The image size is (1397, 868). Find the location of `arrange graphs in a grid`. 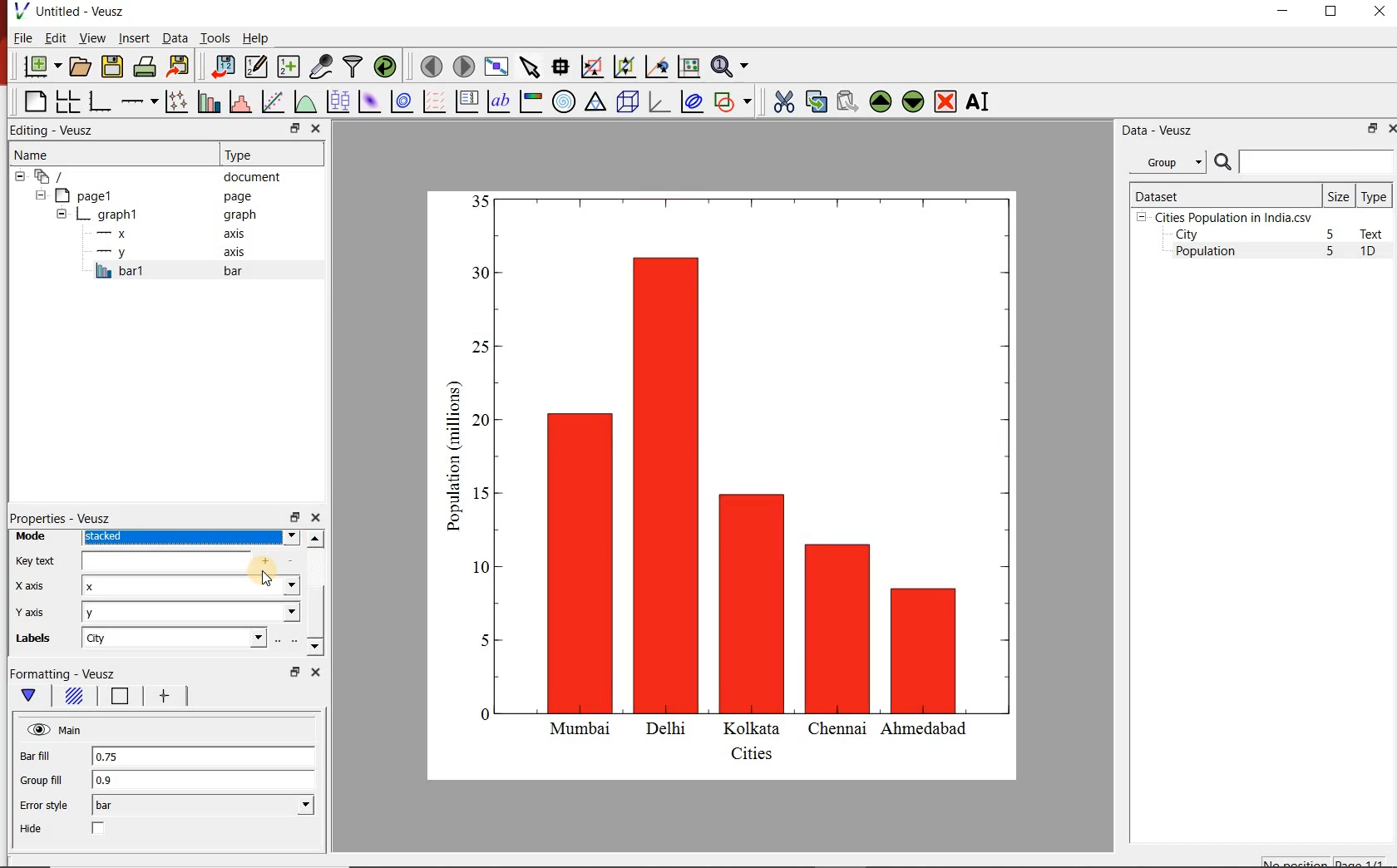

arrange graphs in a grid is located at coordinates (67, 101).